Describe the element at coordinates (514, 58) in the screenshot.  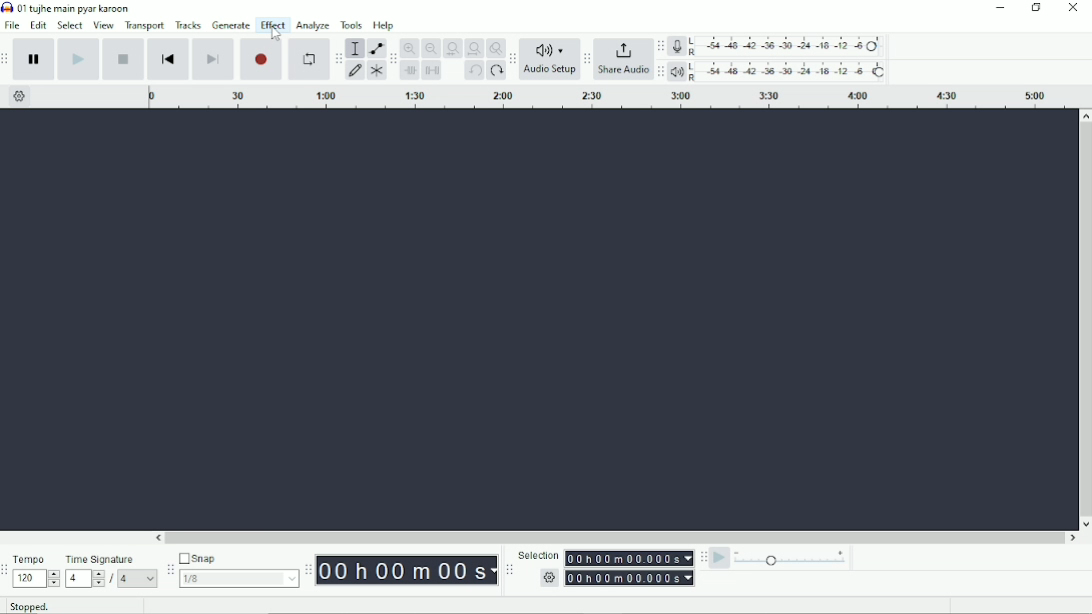
I see `Audacity Audio Setup toolbar` at that location.